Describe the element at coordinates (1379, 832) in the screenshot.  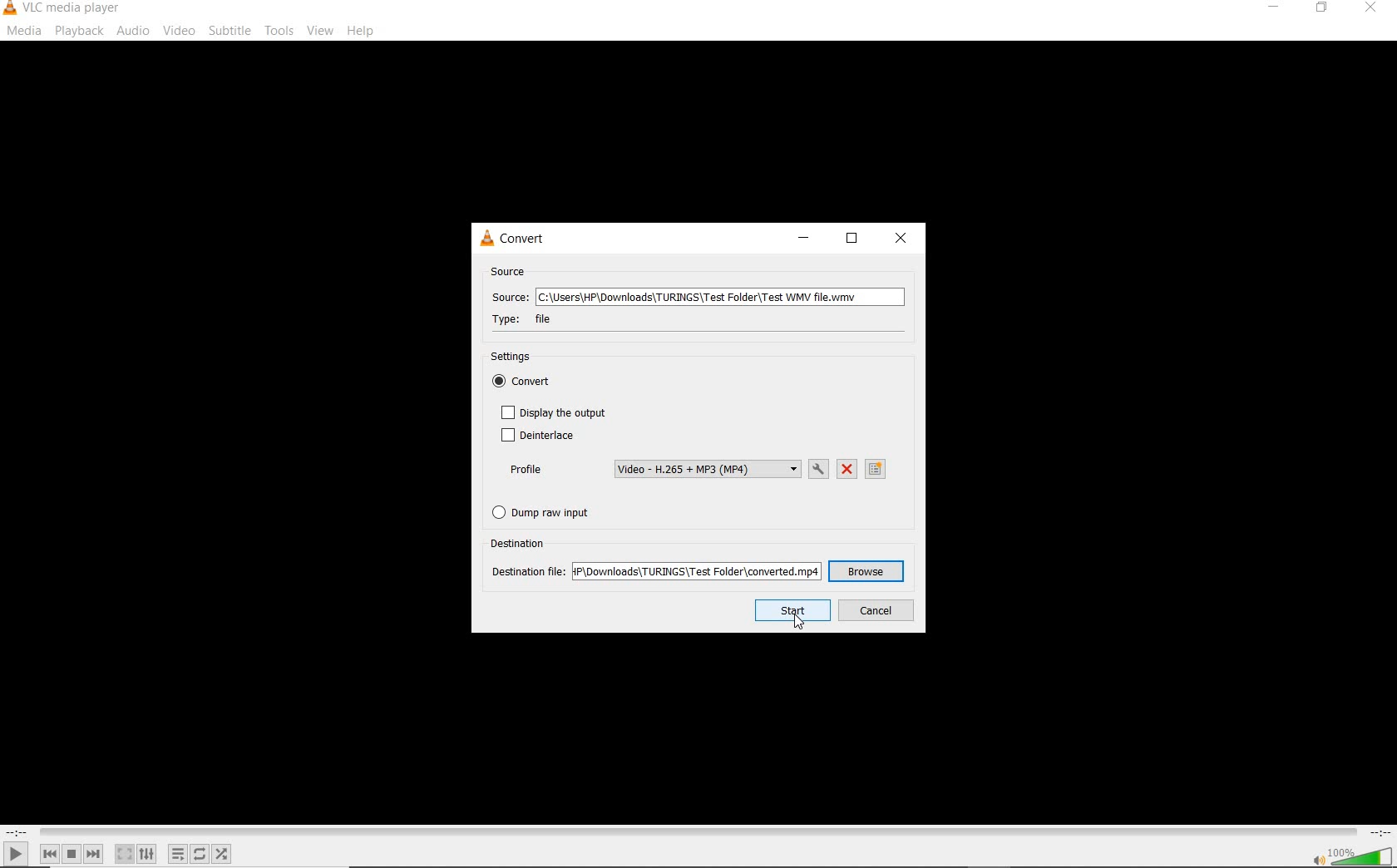
I see `remaining time` at that location.